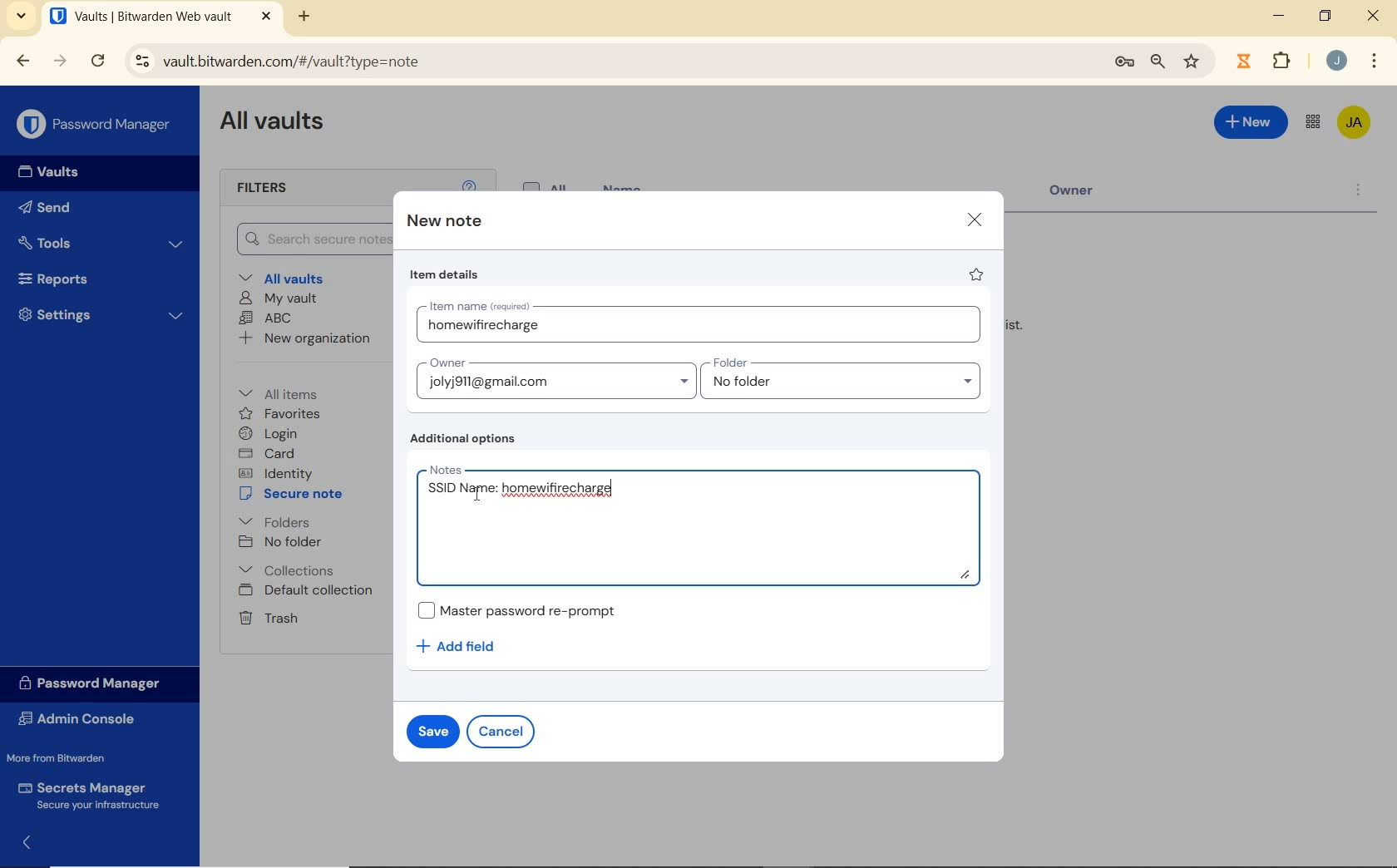  I want to click on backward, so click(23, 62).